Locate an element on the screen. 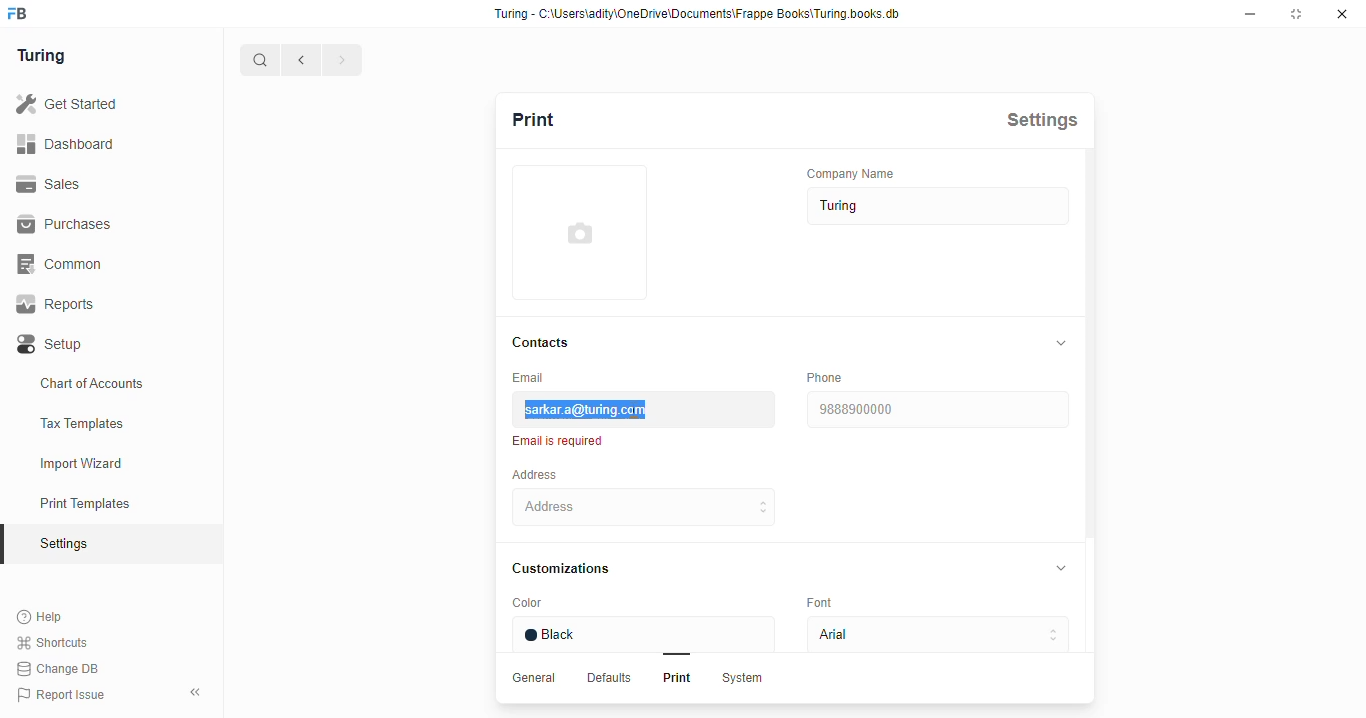 This screenshot has width=1366, height=718. Get Started is located at coordinates (67, 101).